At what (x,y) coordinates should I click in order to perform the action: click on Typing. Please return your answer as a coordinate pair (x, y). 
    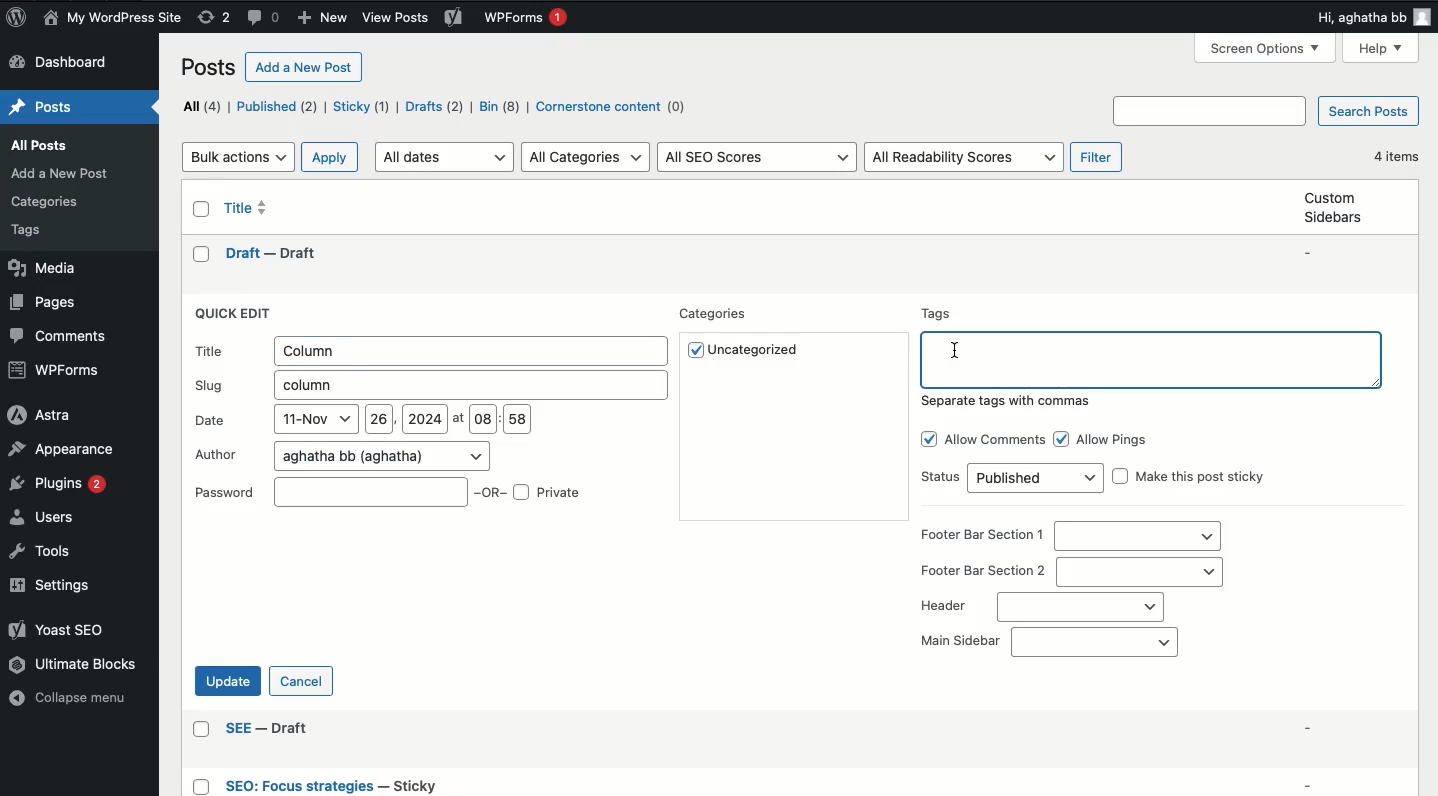
    Looking at the image, I should click on (954, 352).